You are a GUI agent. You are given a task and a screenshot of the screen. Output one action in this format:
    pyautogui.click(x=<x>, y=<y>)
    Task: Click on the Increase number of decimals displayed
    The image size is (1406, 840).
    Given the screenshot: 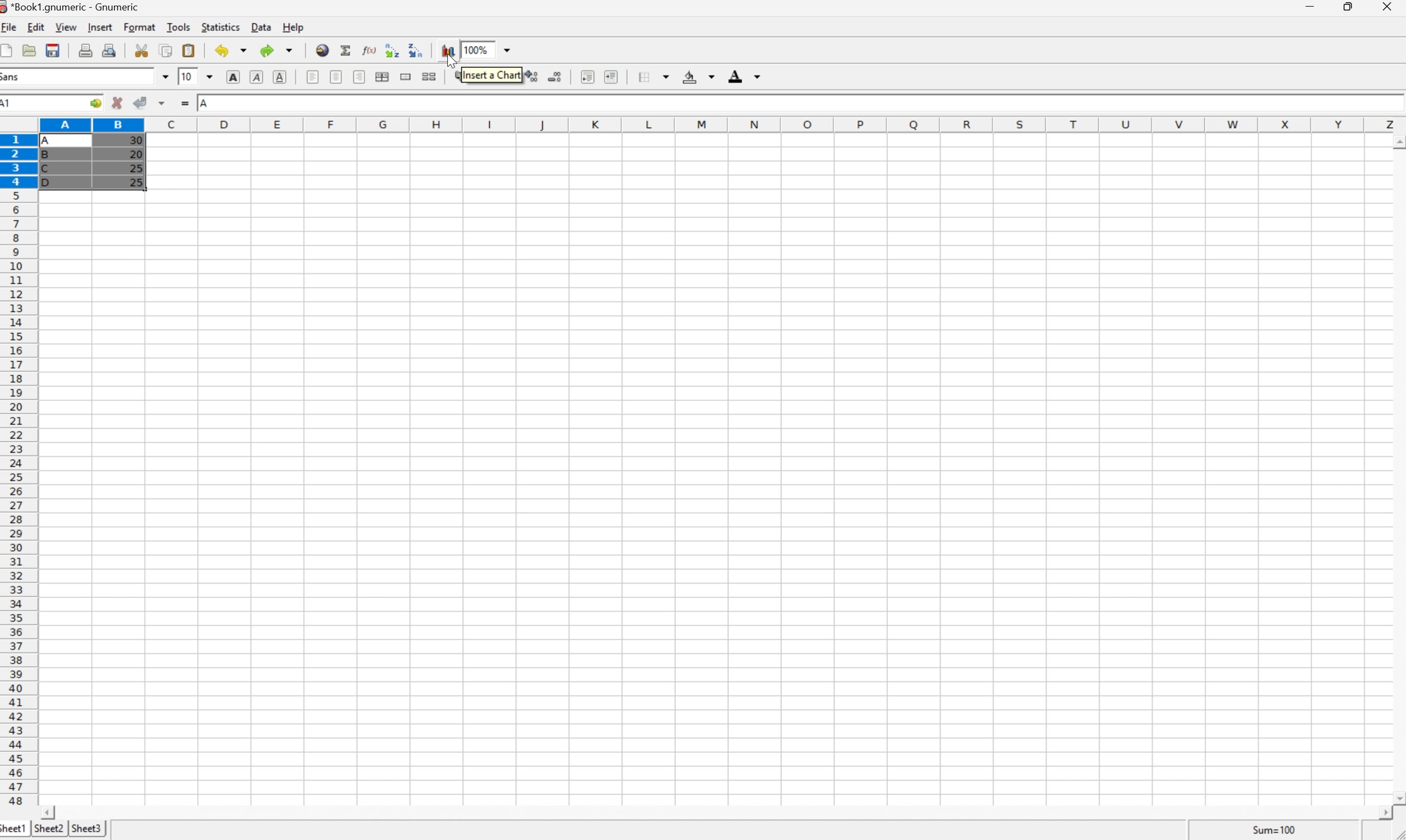 What is the action you would take?
    pyautogui.click(x=532, y=78)
    